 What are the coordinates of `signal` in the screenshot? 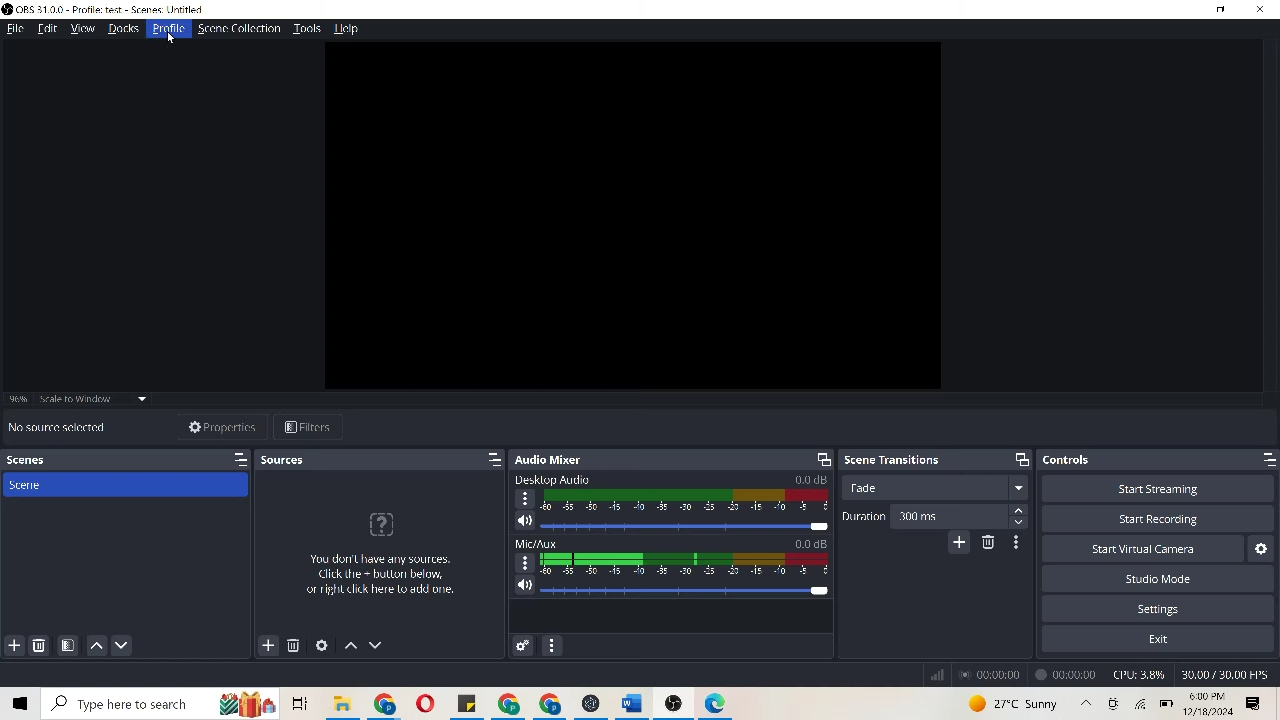 It's located at (935, 672).